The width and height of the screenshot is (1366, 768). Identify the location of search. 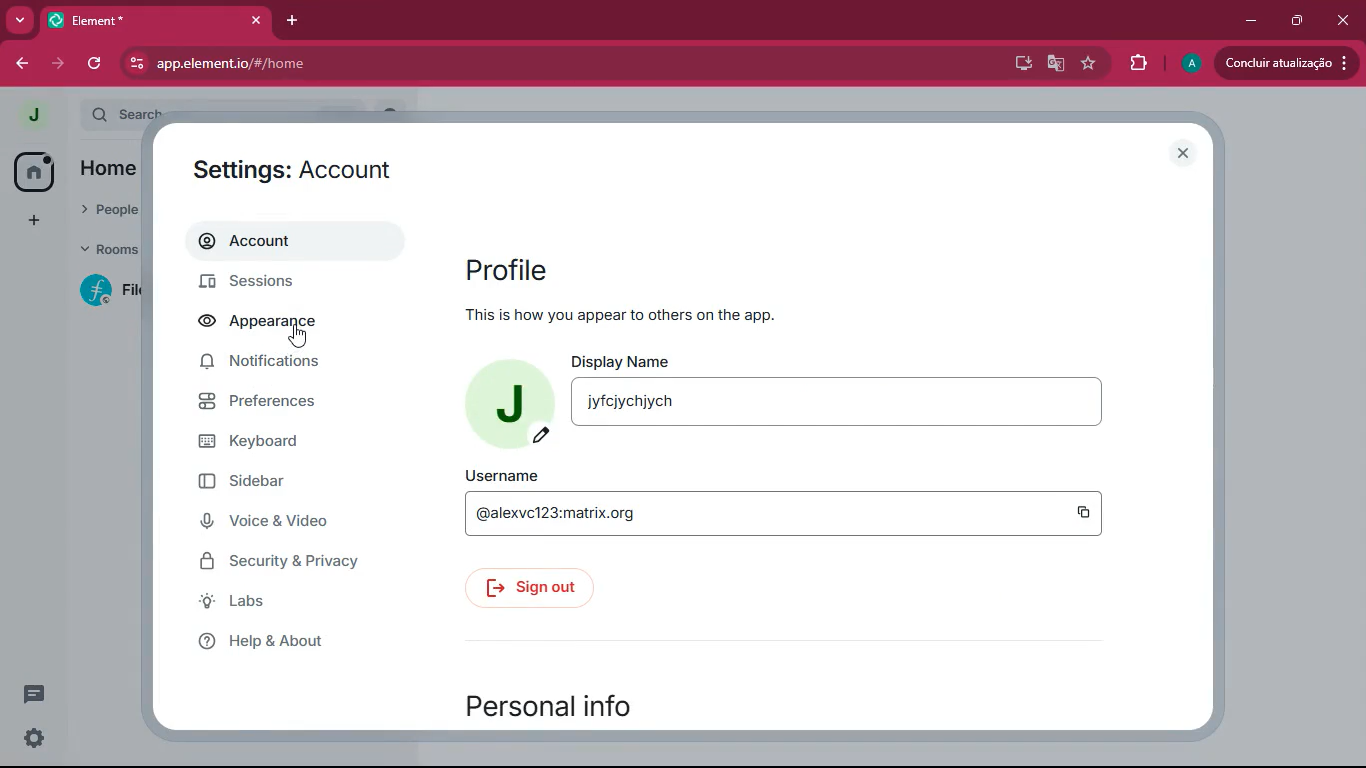
(125, 114).